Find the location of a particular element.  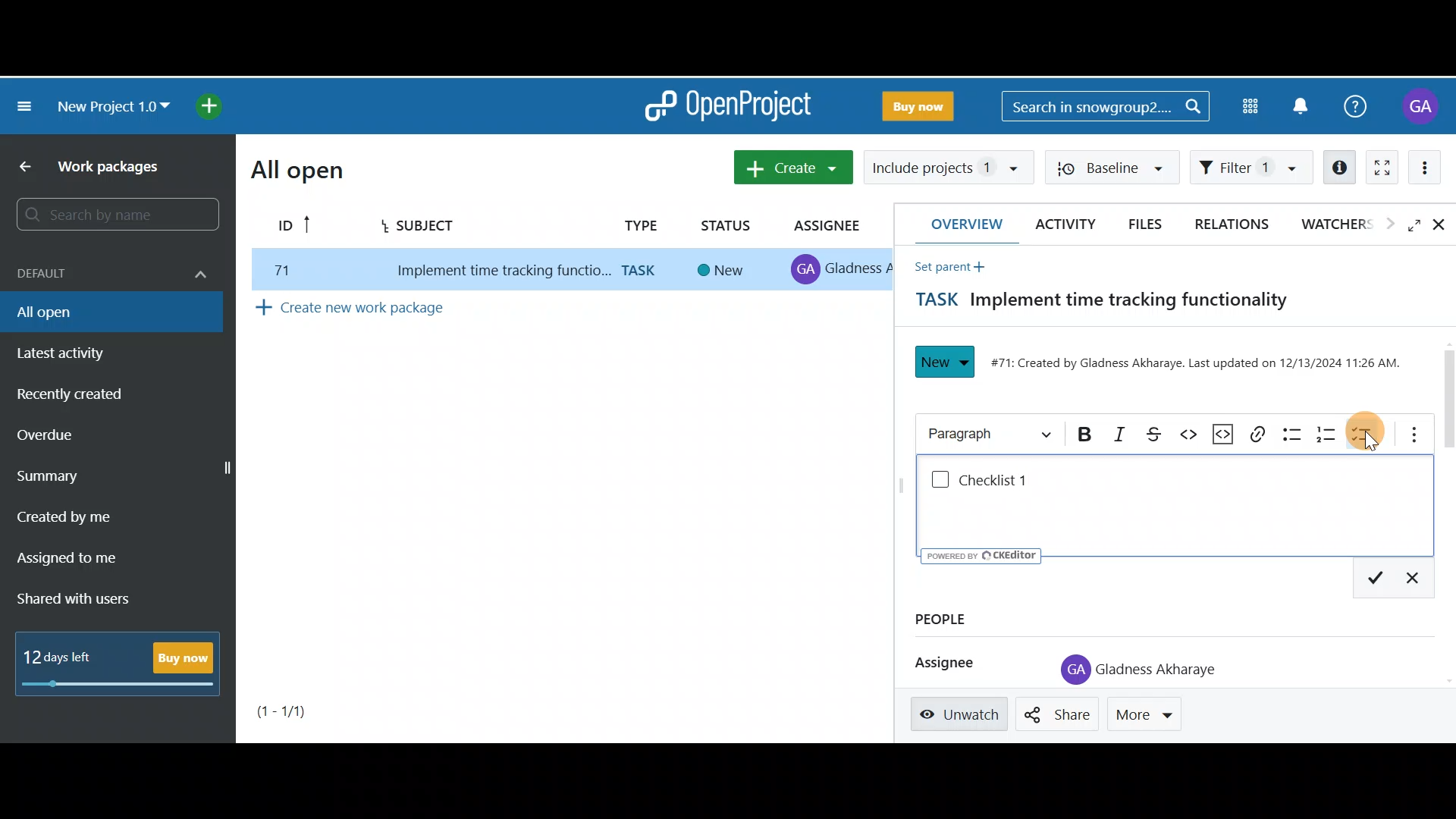

progress bar is located at coordinates (120, 686).